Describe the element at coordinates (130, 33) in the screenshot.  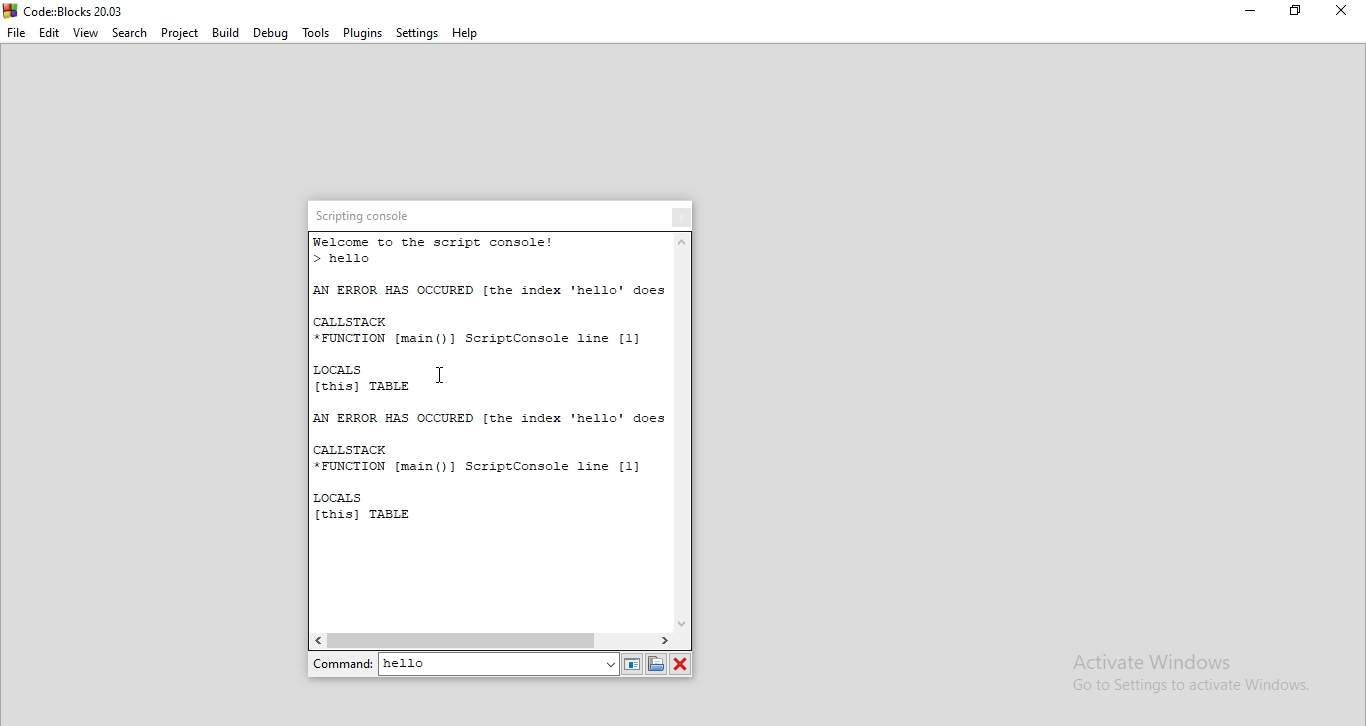
I see `Search ` at that location.